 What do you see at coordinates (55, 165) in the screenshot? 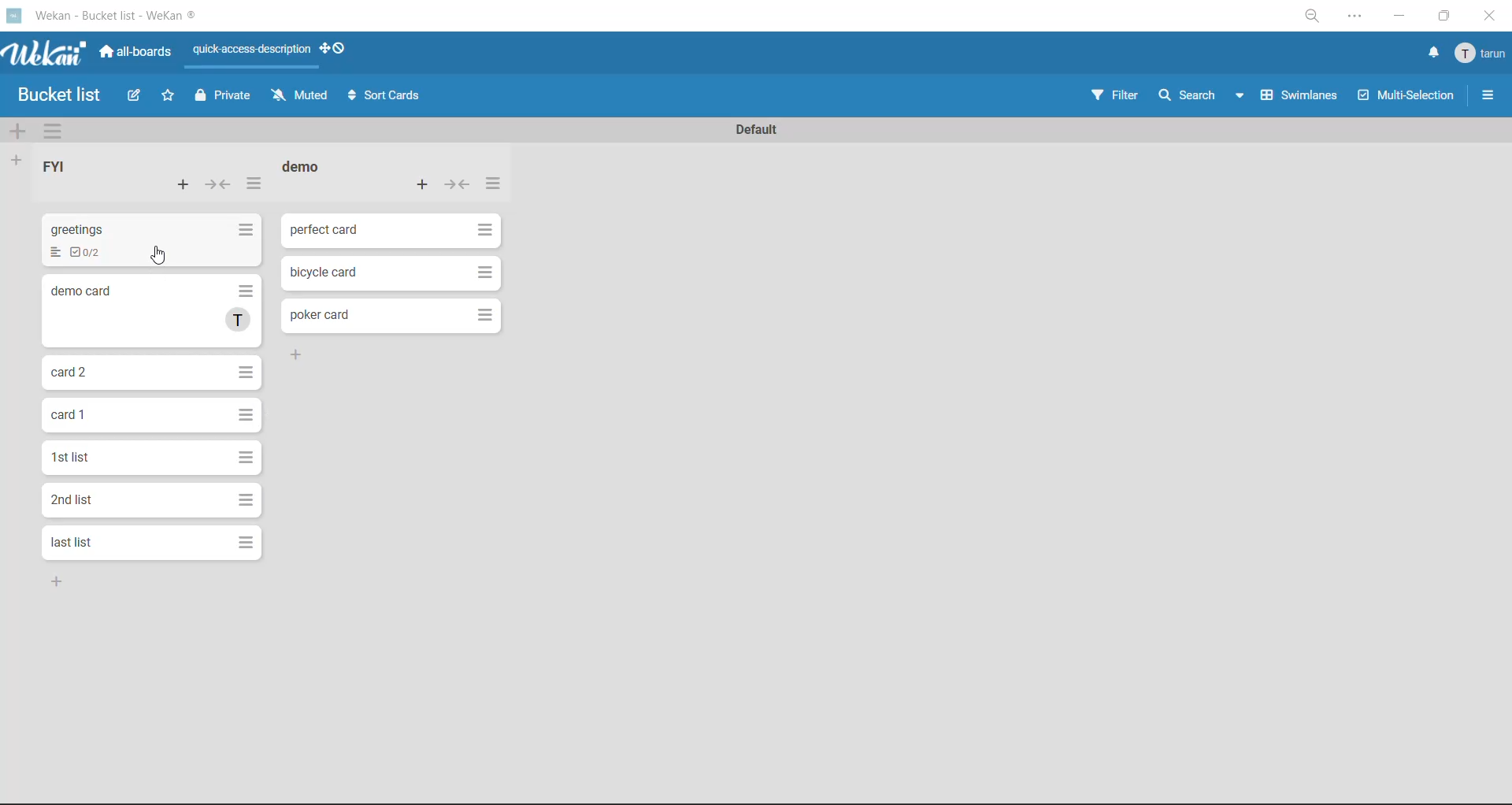
I see `list title` at bounding box center [55, 165].